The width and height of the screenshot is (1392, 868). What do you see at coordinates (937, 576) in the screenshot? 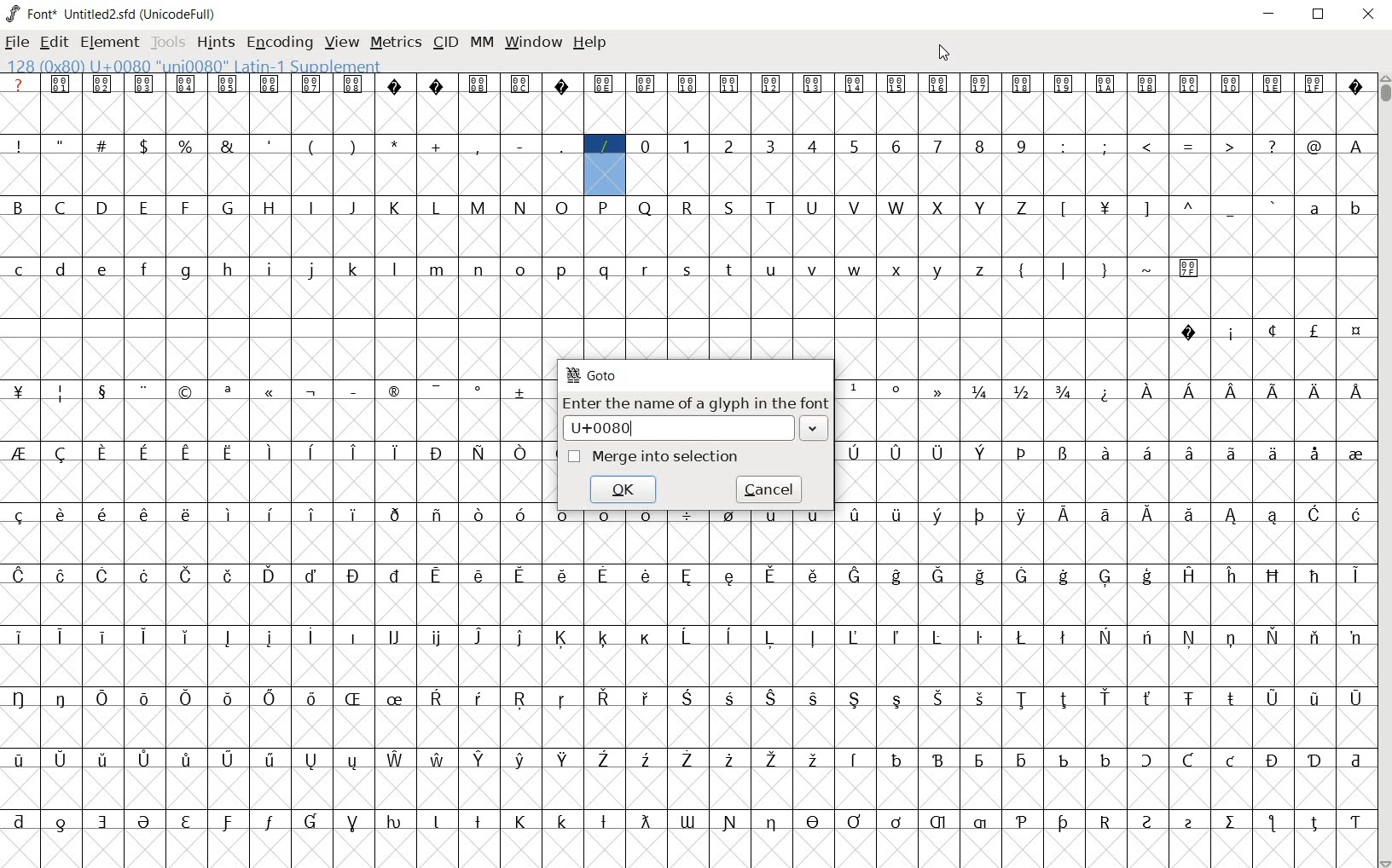
I see `glyph` at bounding box center [937, 576].